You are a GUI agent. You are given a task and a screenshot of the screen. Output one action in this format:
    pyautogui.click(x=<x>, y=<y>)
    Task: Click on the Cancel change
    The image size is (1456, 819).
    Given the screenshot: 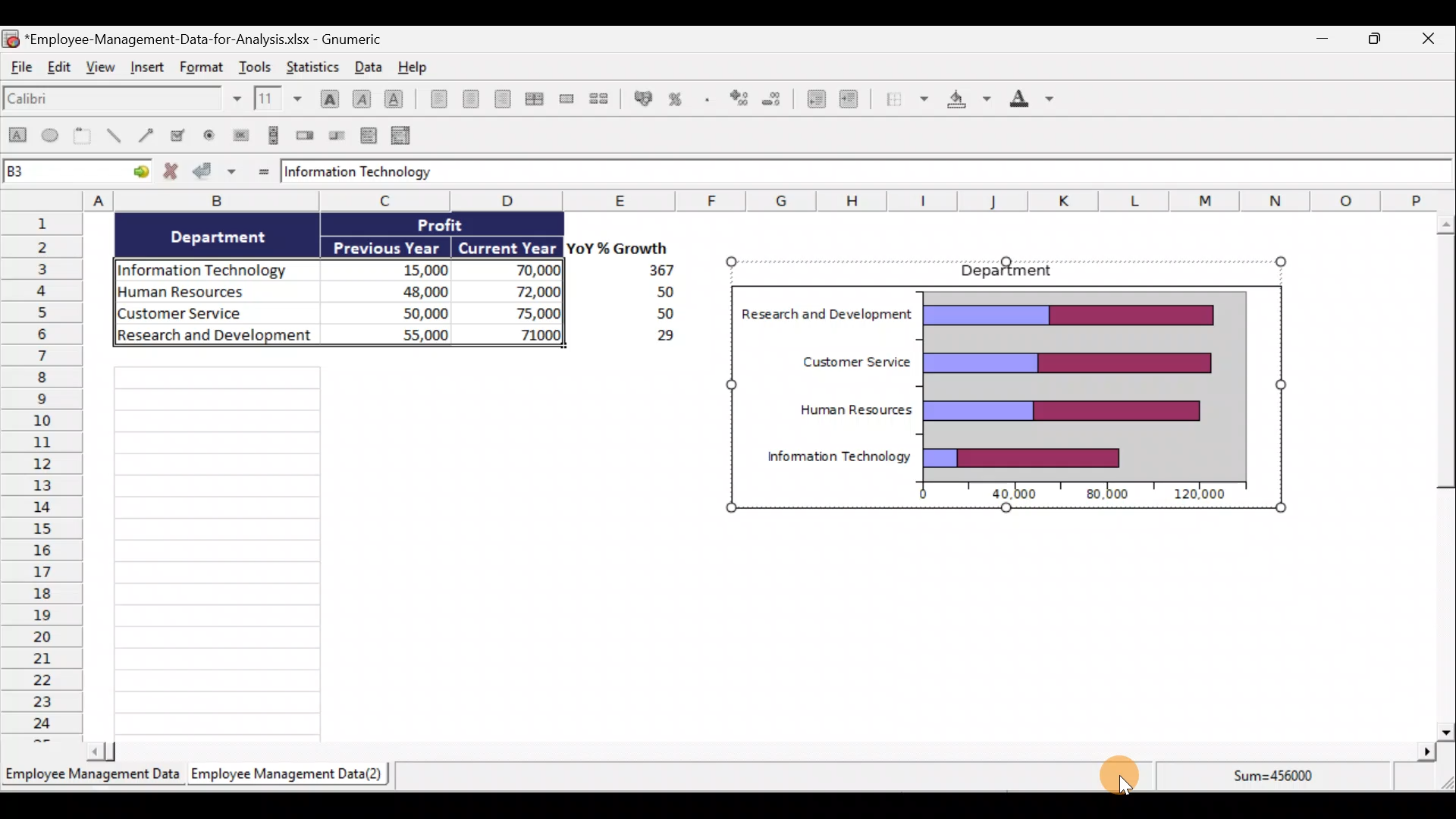 What is the action you would take?
    pyautogui.click(x=171, y=173)
    